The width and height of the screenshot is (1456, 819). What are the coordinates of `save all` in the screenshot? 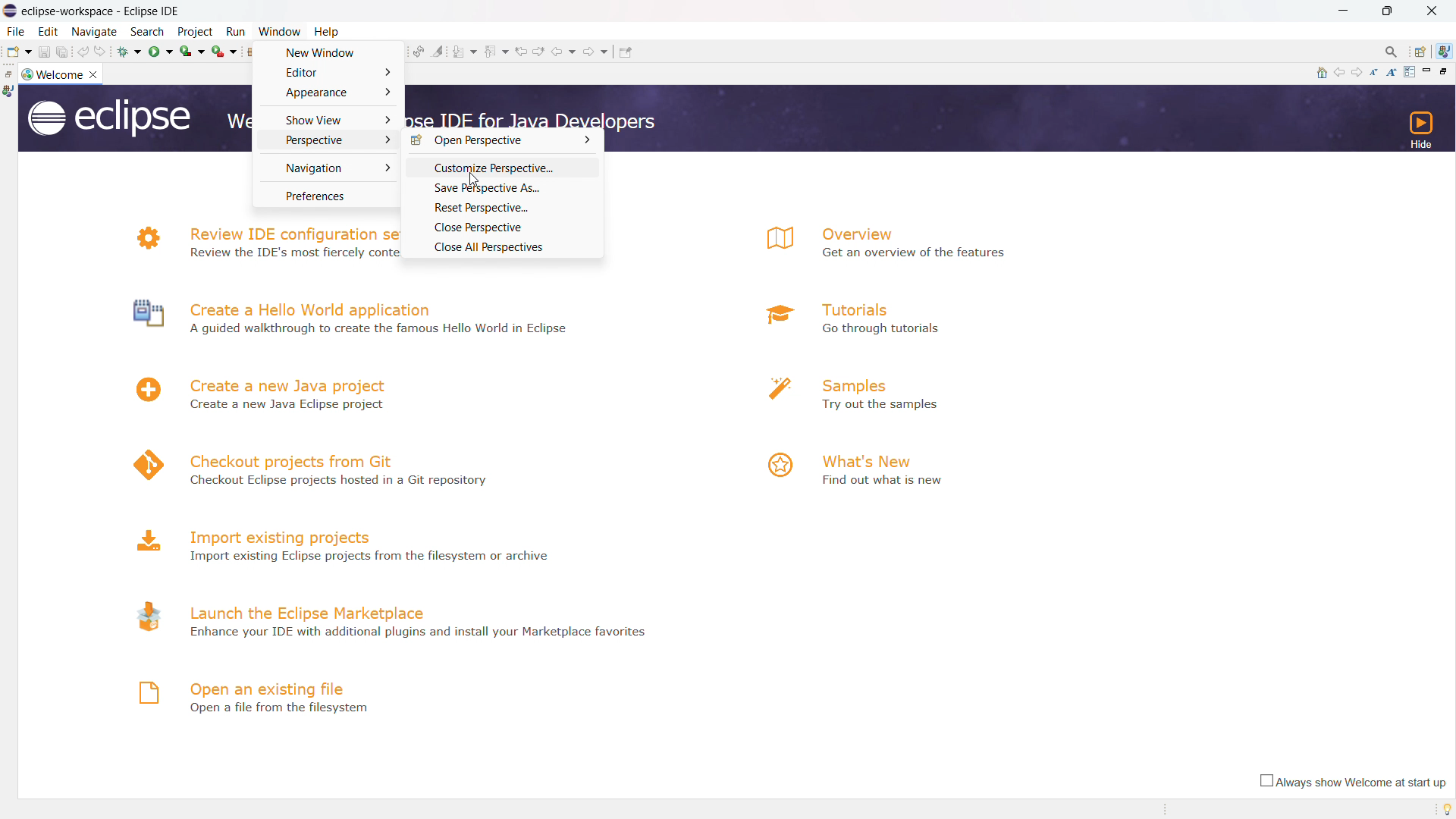 It's located at (63, 52).